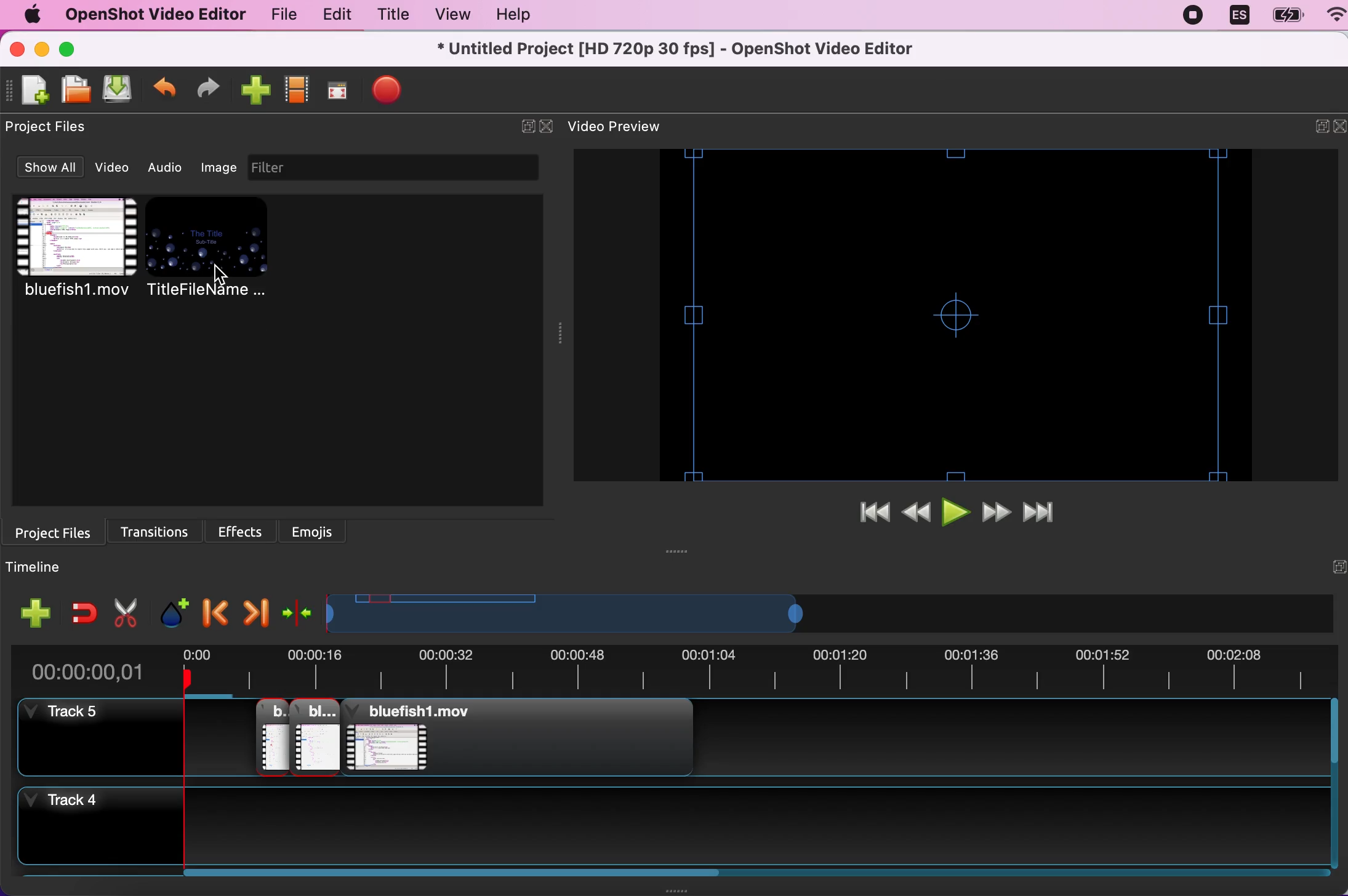 The height and width of the screenshot is (896, 1348). What do you see at coordinates (41, 50) in the screenshot?
I see `minimize` at bounding box center [41, 50].